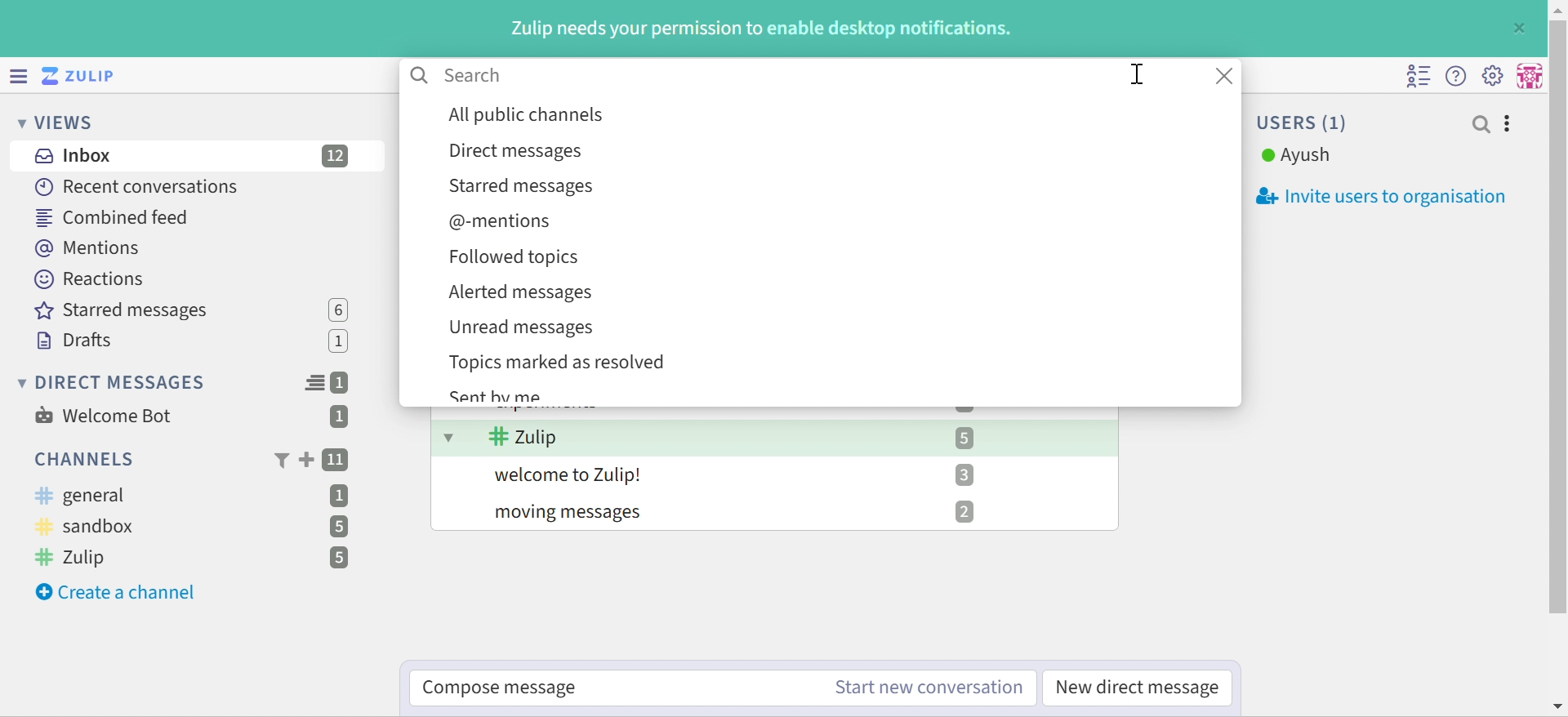  Describe the element at coordinates (82, 75) in the screenshot. I see `Zulip logo` at that location.